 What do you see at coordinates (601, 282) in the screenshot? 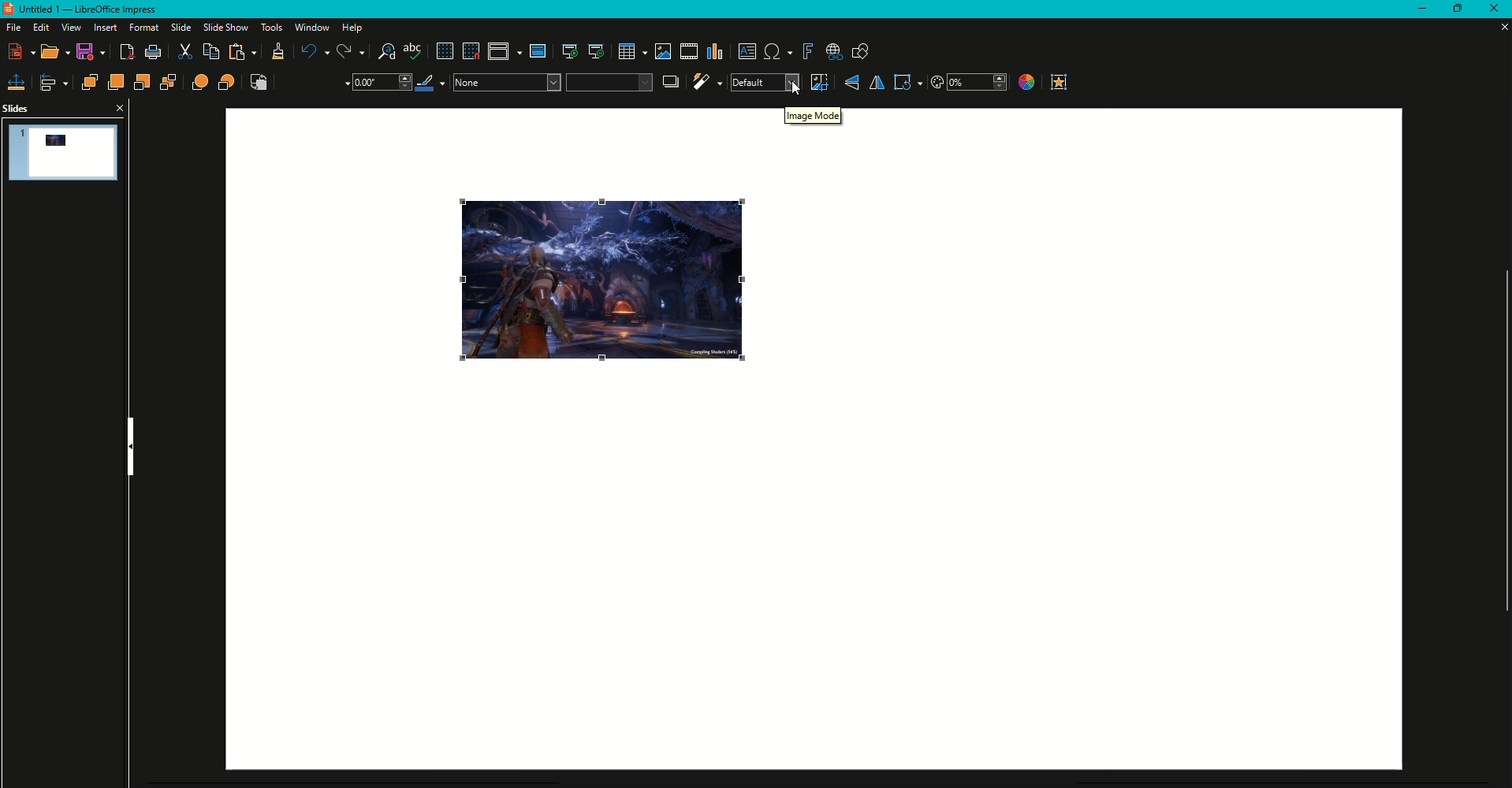
I see `Image` at bounding box center [601, 282].